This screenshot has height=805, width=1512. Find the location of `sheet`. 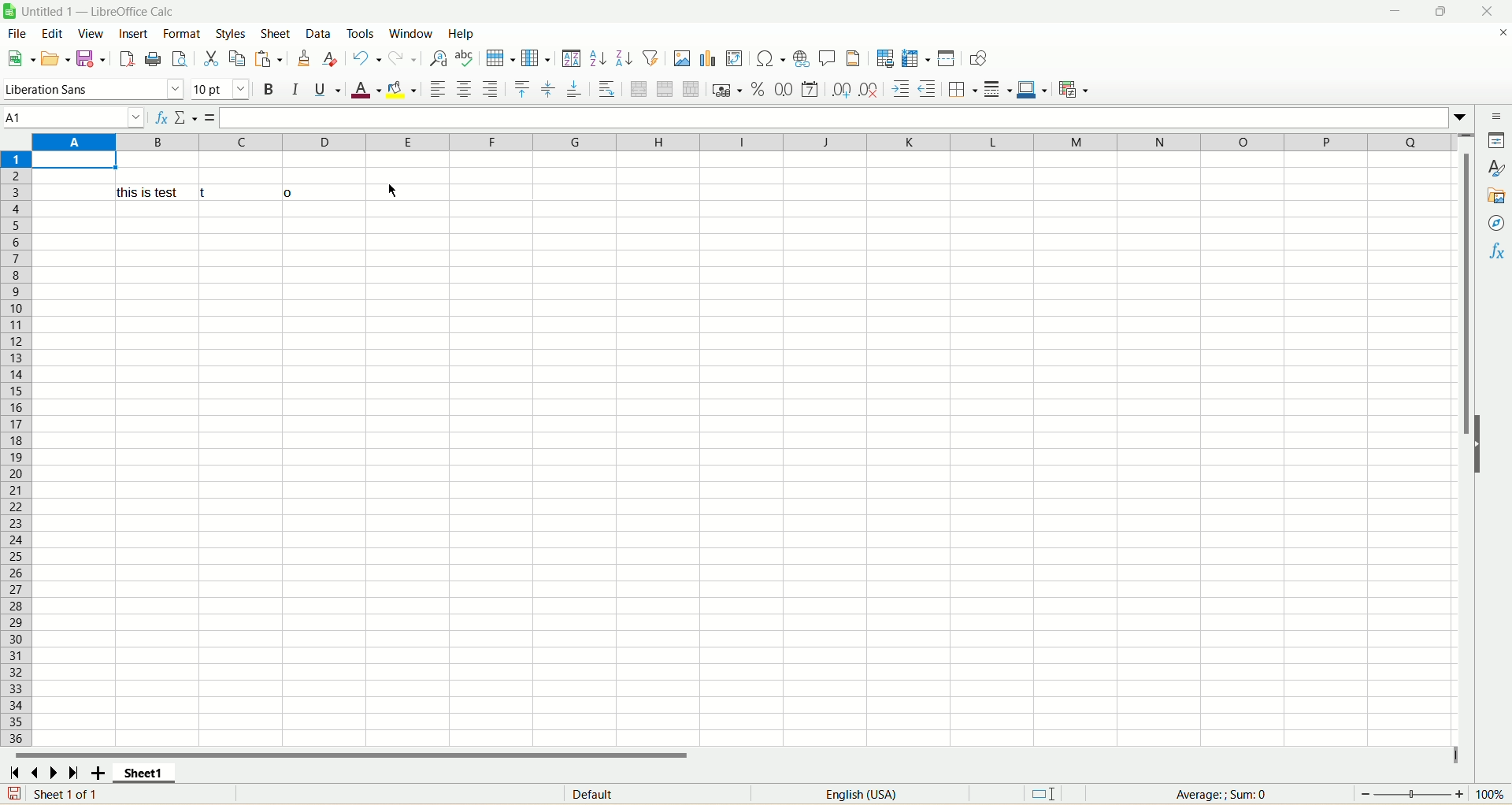

sheet is located at coordinates (740, 447).